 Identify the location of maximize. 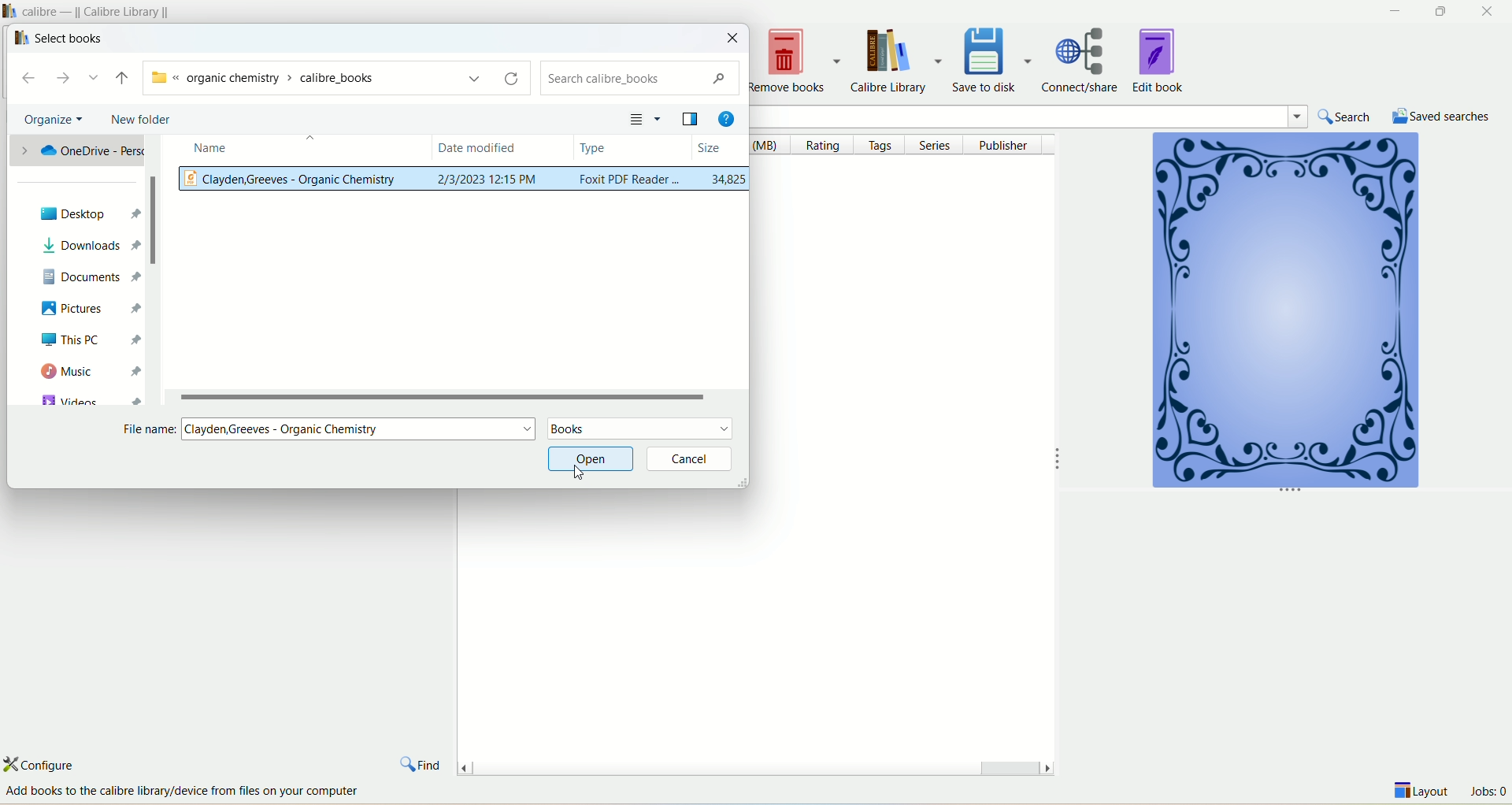
(1440, 12).